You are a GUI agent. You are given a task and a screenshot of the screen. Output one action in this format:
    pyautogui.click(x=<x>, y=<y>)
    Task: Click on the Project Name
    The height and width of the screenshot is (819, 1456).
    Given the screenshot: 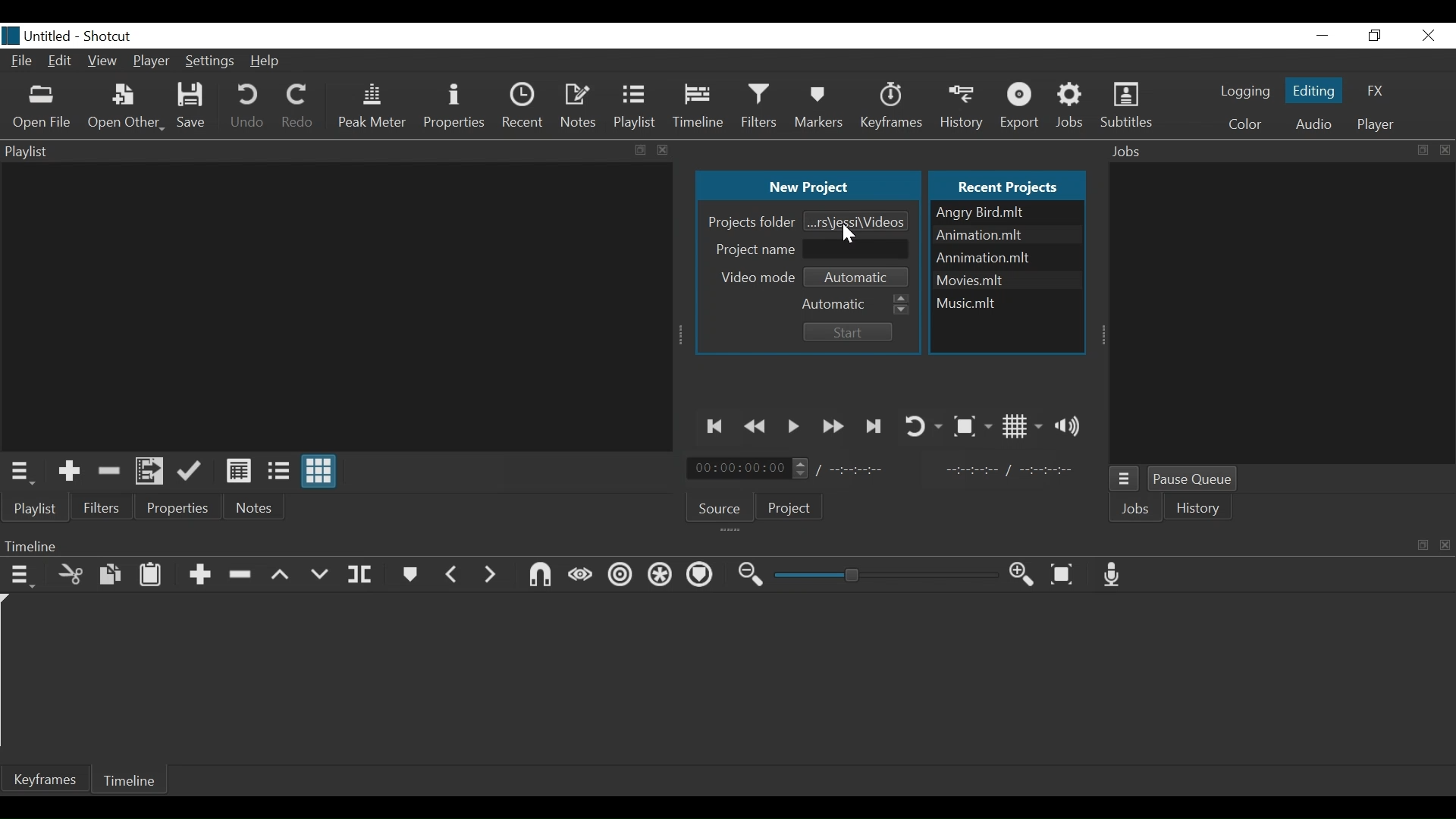 What is the action you would take?
    pyautogui.click(x=752, y=248)
    